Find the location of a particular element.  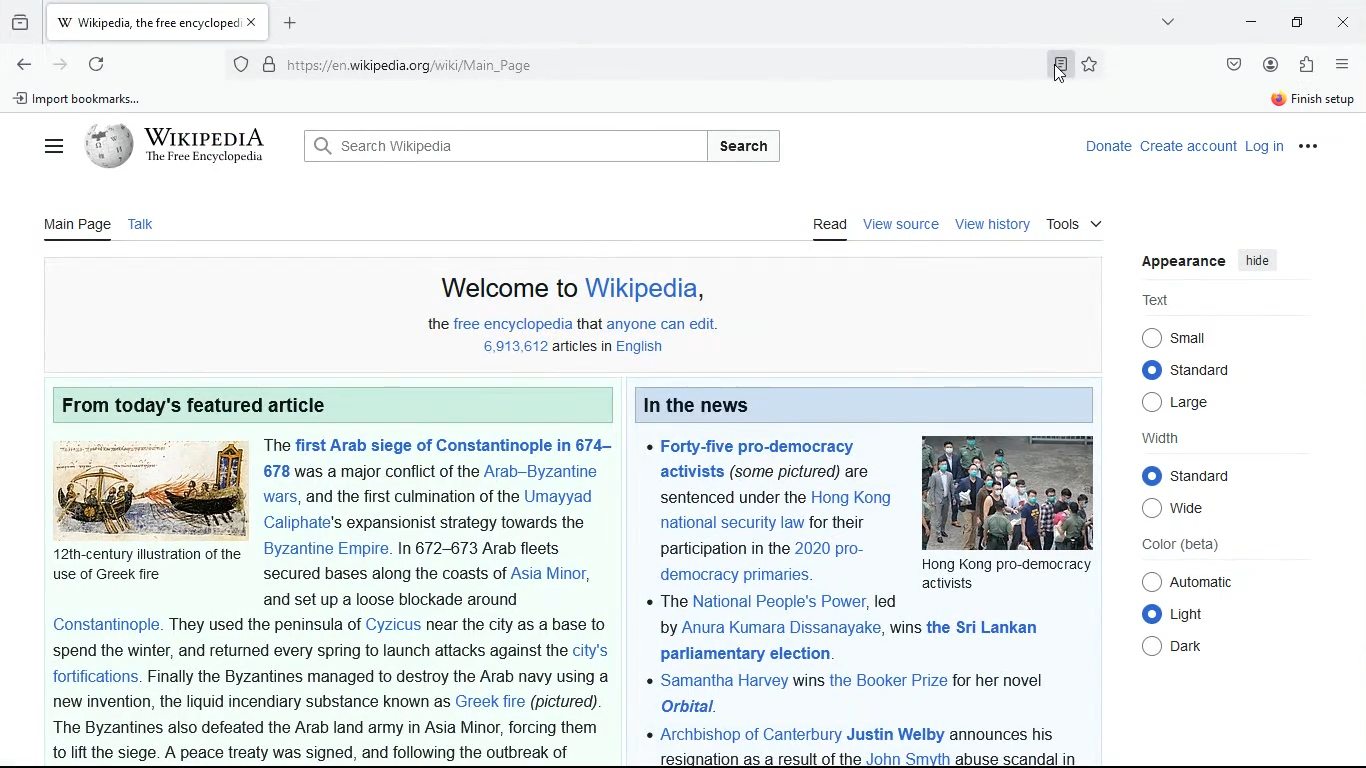

finish setup is located at coordinates (1308, 98).